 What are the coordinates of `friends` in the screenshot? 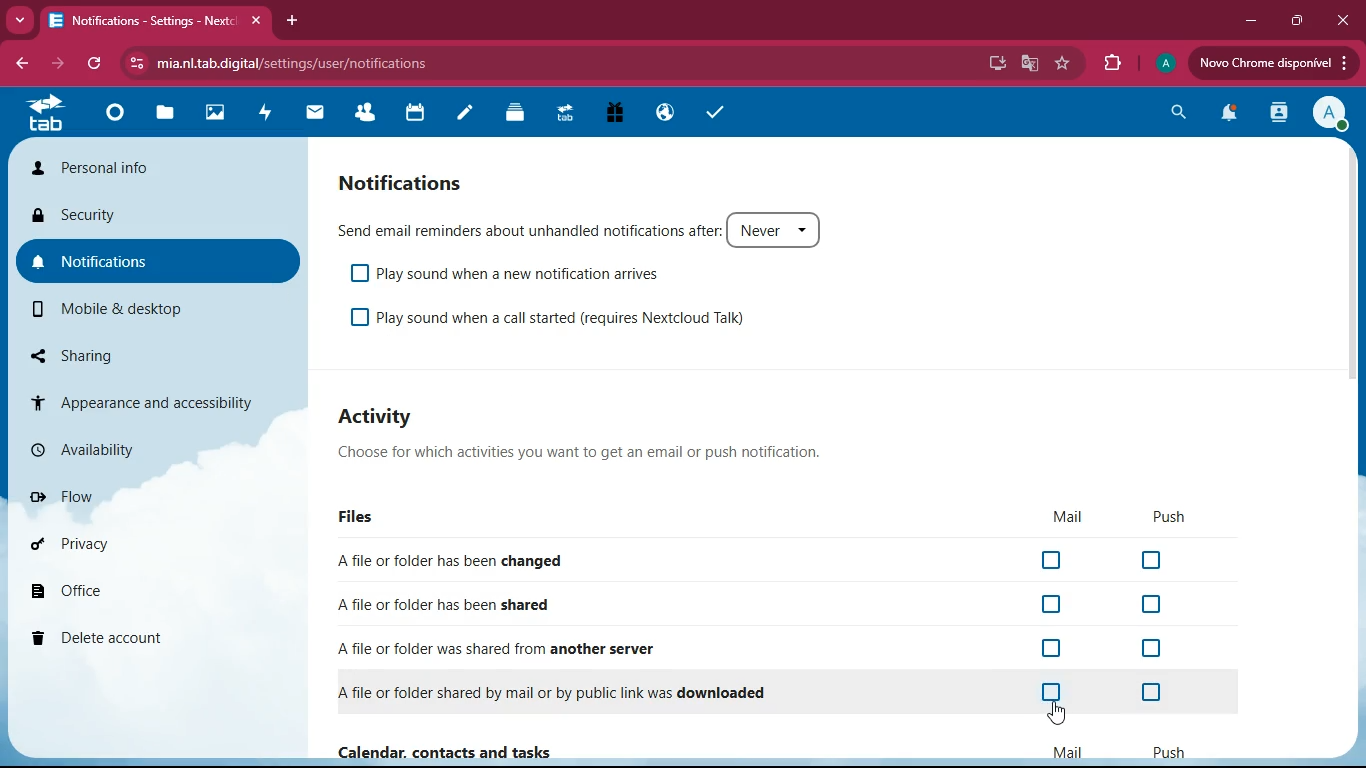 It's located at (361, 114).